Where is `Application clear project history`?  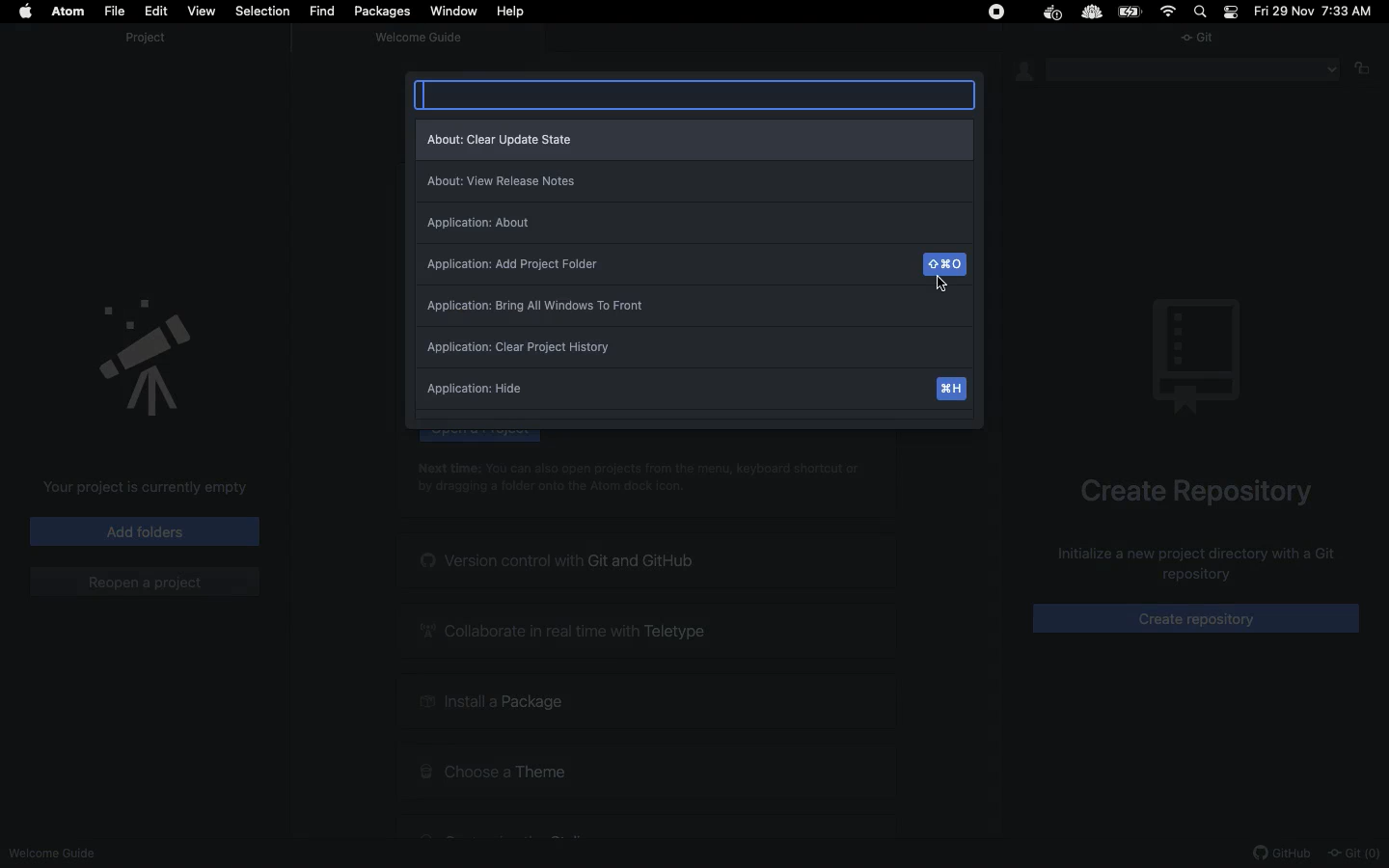
Application clear project history is located at coordinates (694, 351).